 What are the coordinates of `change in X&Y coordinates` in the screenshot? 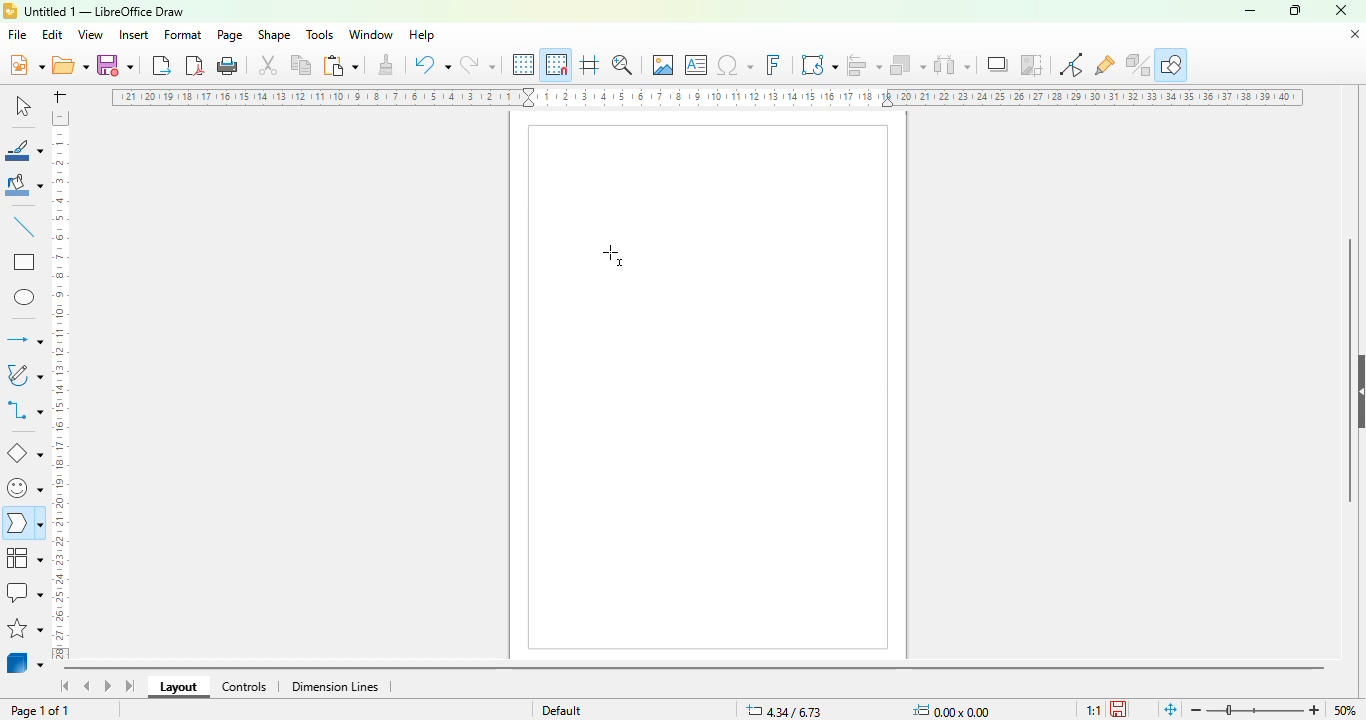 It's located at (784, 710).